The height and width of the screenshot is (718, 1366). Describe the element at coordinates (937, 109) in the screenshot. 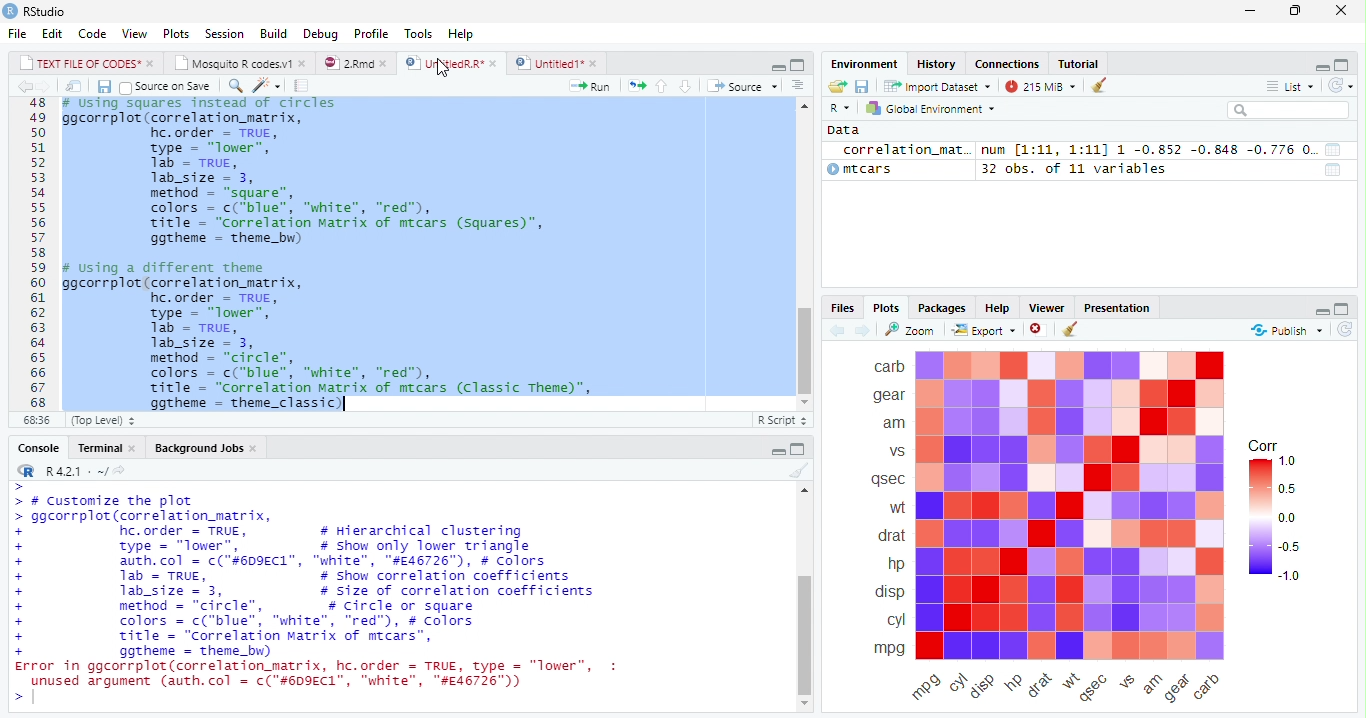

I see ` Global Environment +` at that location.